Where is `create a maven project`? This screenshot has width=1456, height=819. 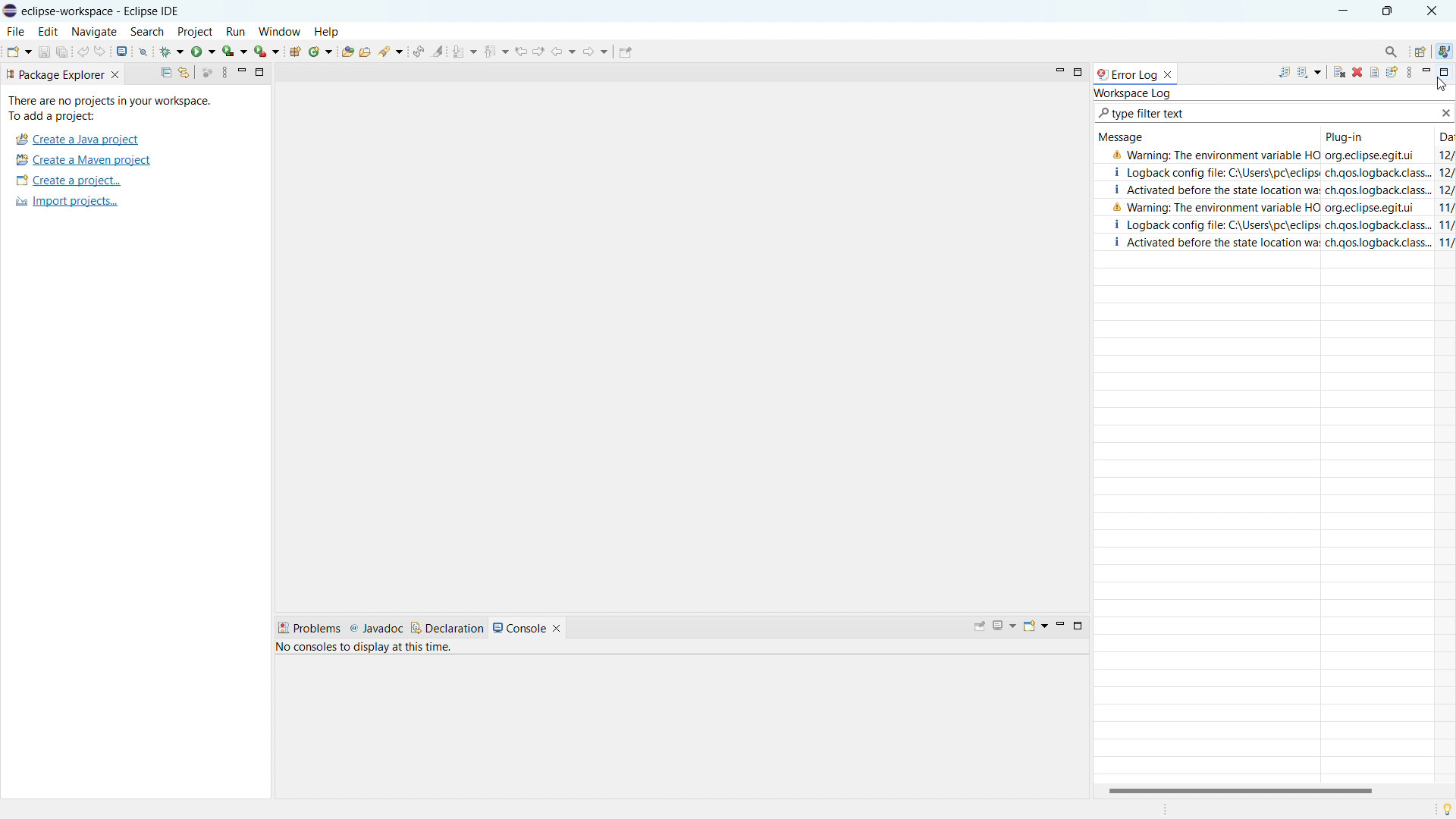 create a maven project is located at coordinates (83, 160).